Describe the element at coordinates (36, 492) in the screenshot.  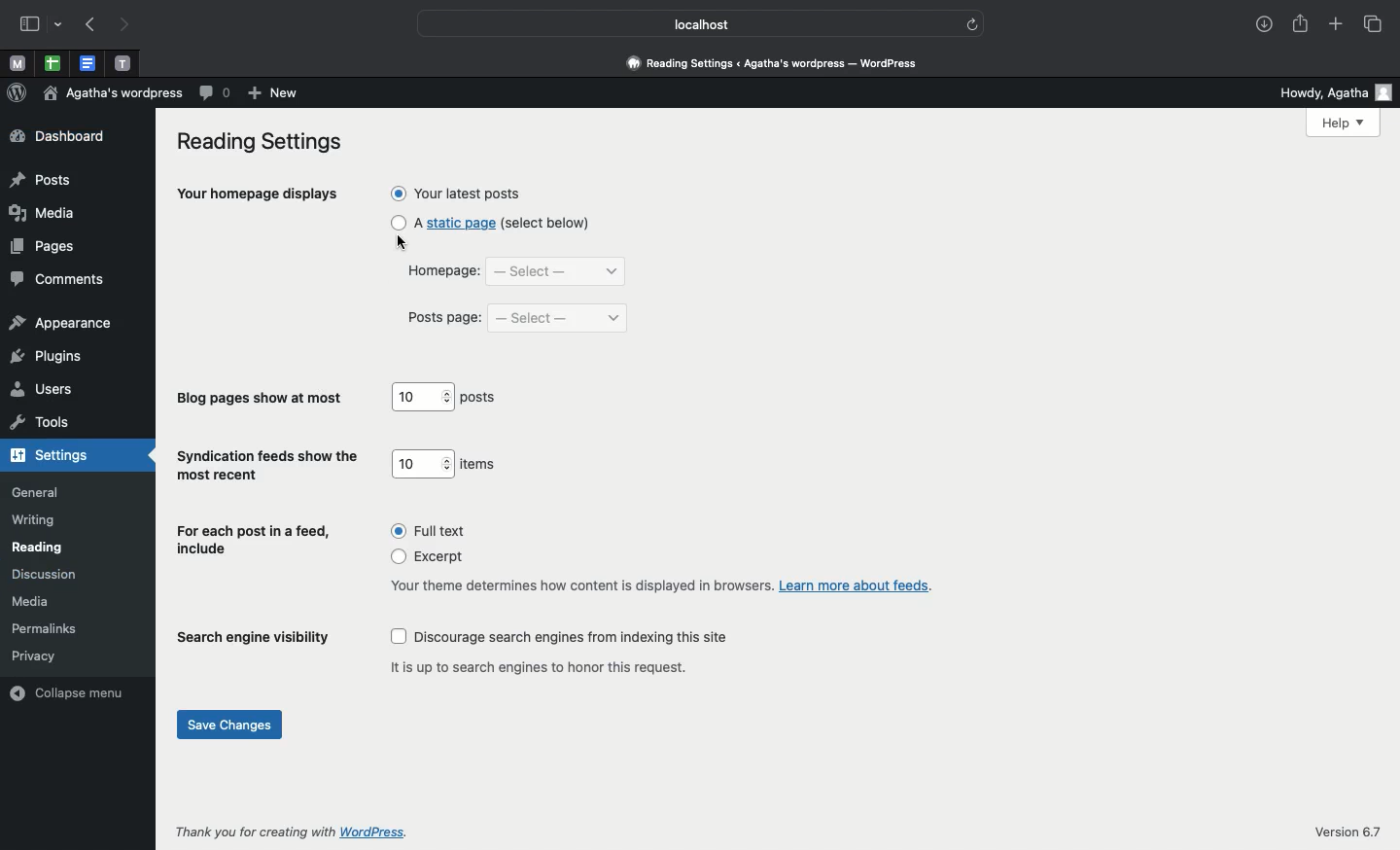
I see `general` at that location.